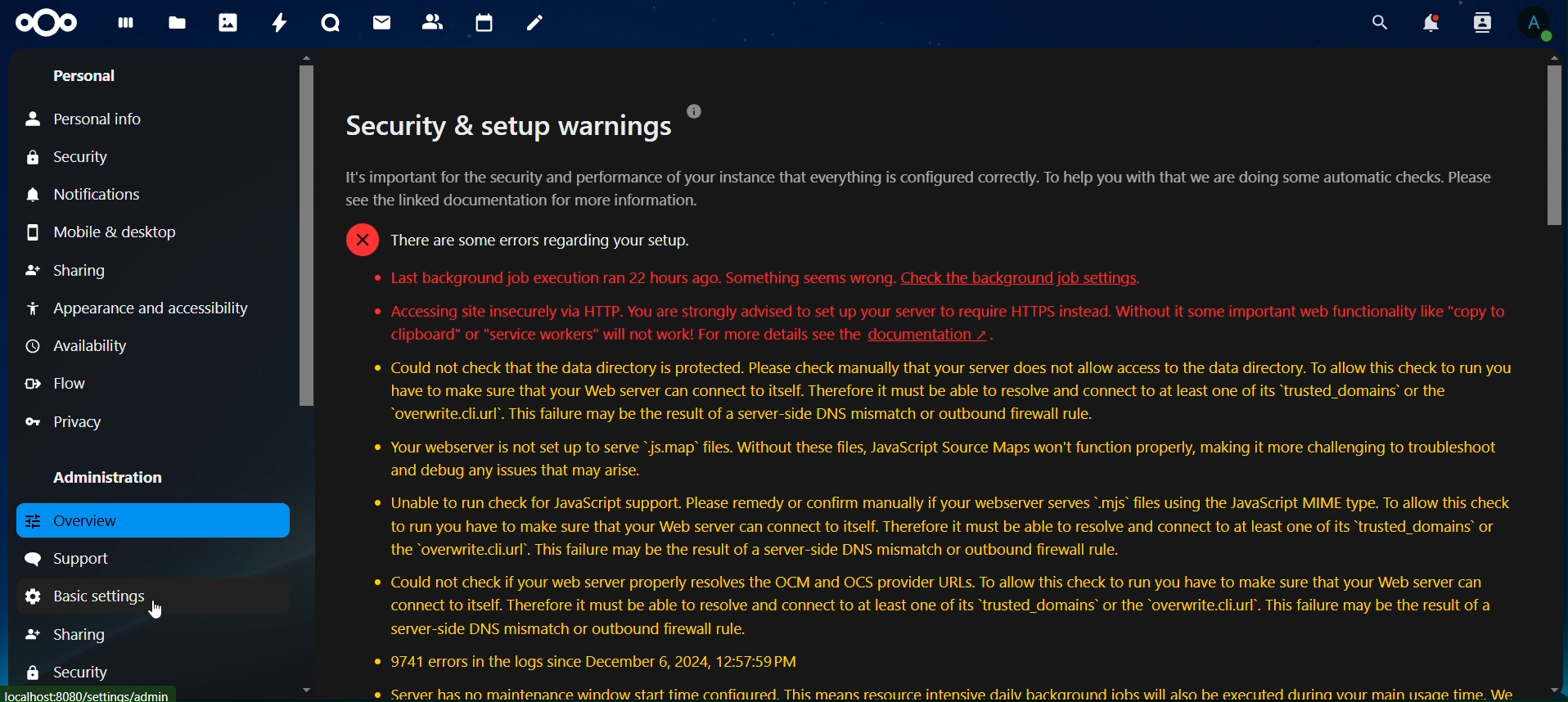 Image resolution: width=1568 pixels, height=702 pixels. Describe the element at coordinates (177, 24) in the screenshot. I see `files` at that location.